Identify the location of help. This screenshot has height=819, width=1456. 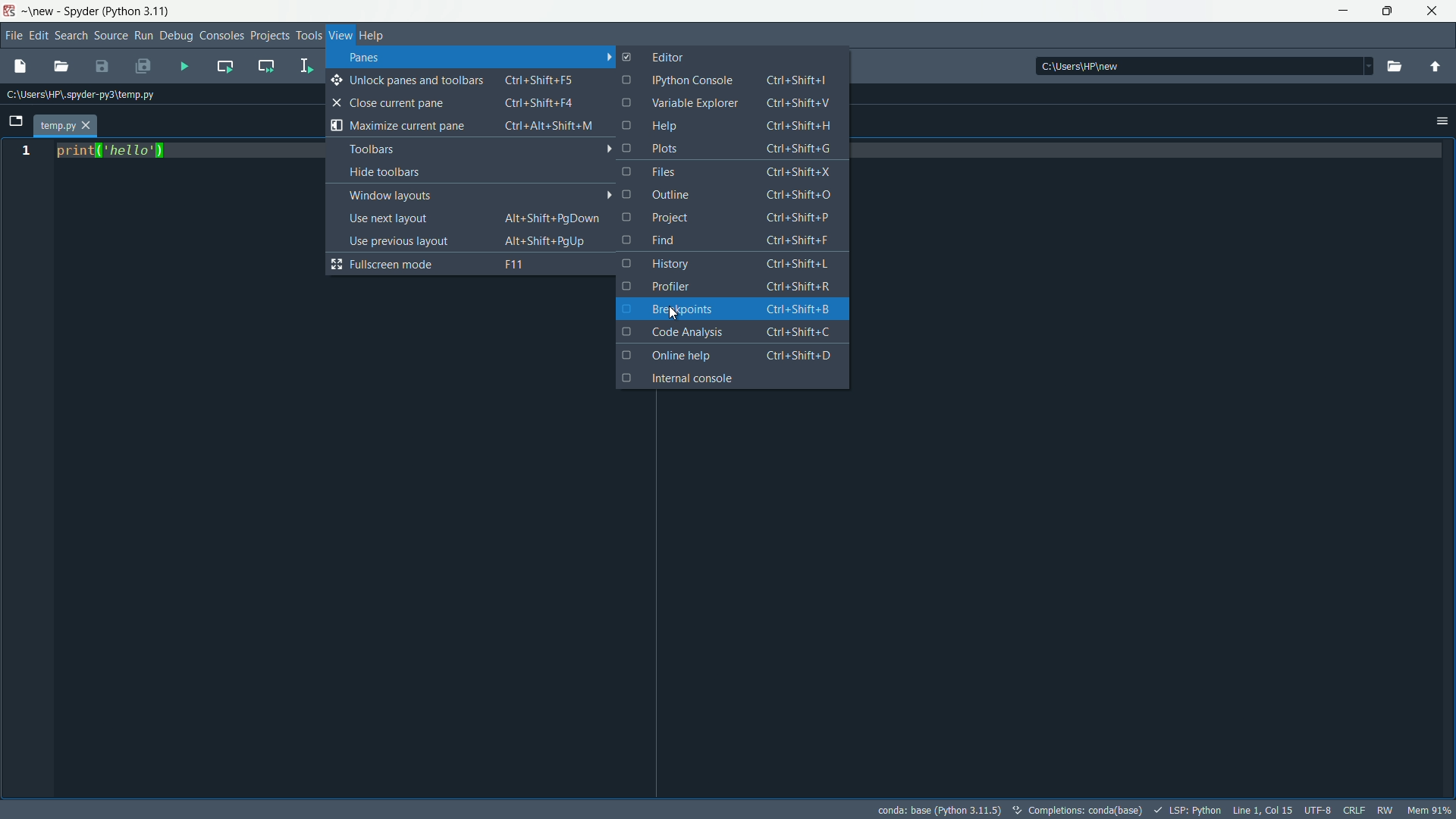
(724, 125).